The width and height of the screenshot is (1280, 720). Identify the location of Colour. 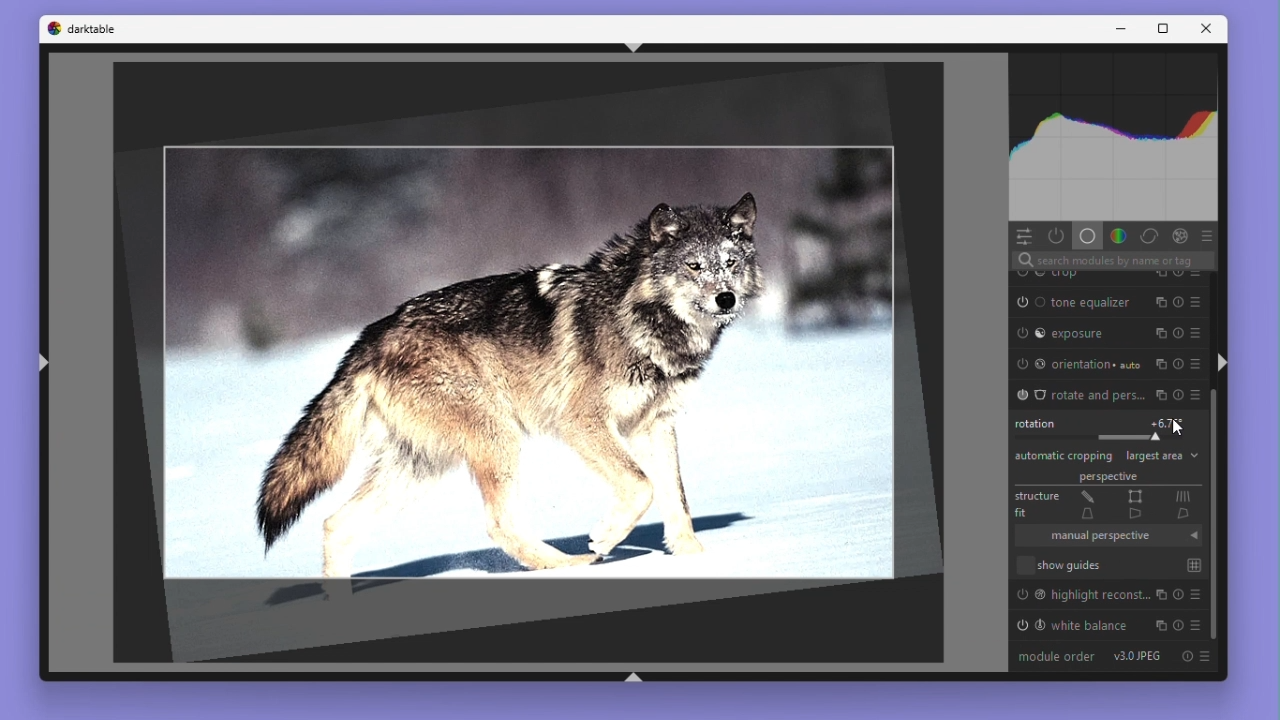
(1118, 235).